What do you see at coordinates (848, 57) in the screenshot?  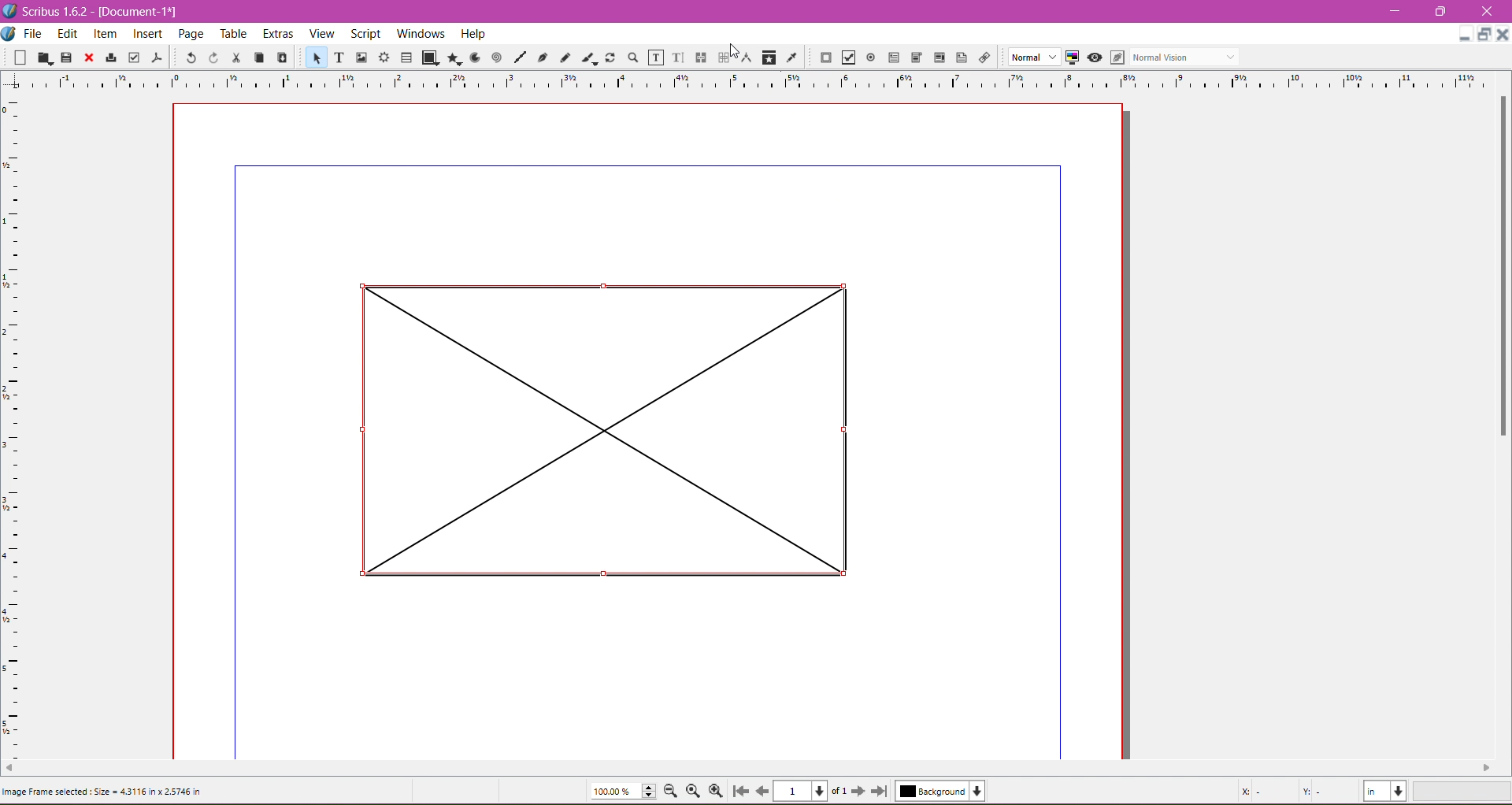 I see `PDF Check Box` at bounding box center [848, 57].